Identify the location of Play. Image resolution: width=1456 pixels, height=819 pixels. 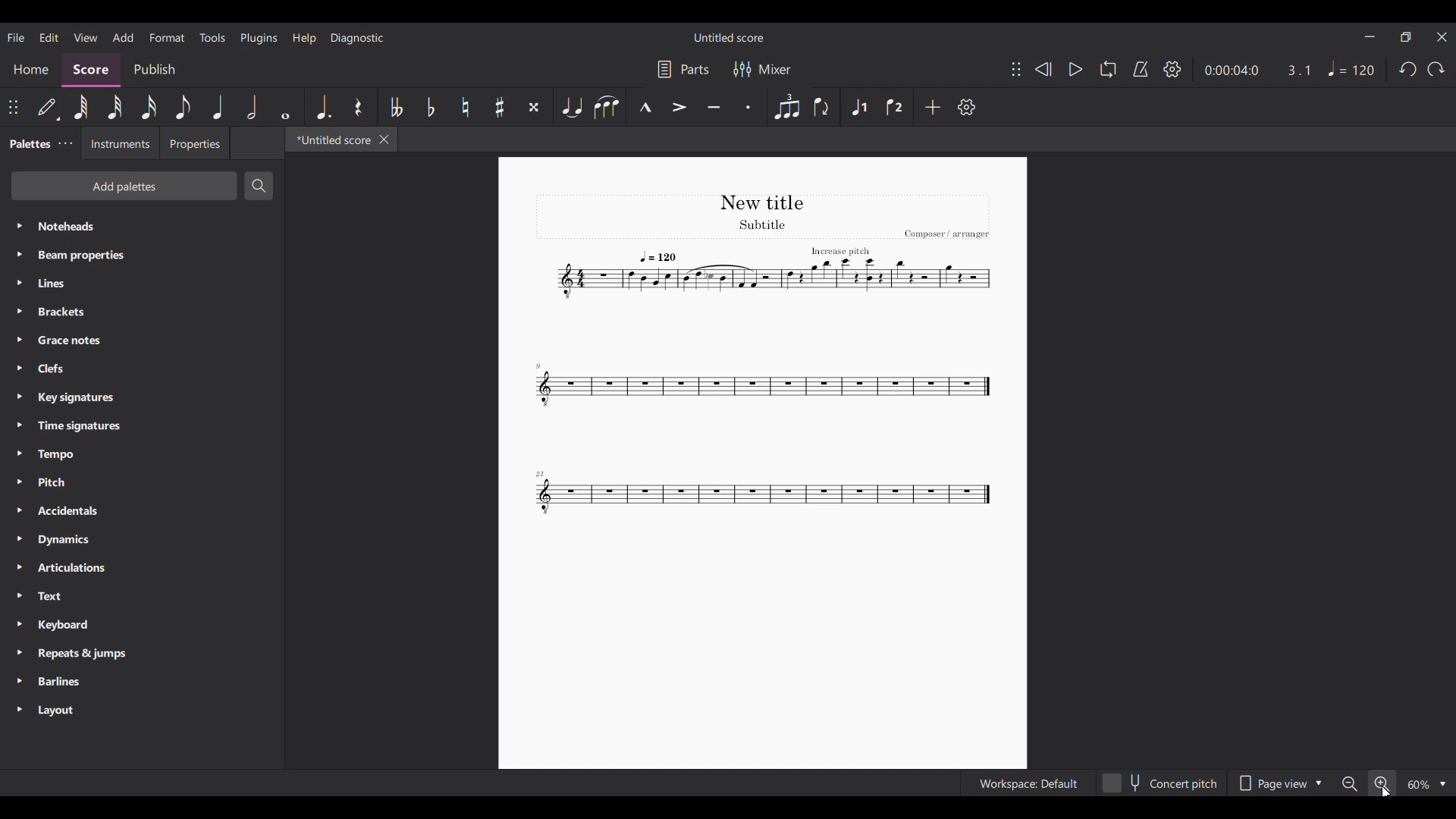
(1076, 70).